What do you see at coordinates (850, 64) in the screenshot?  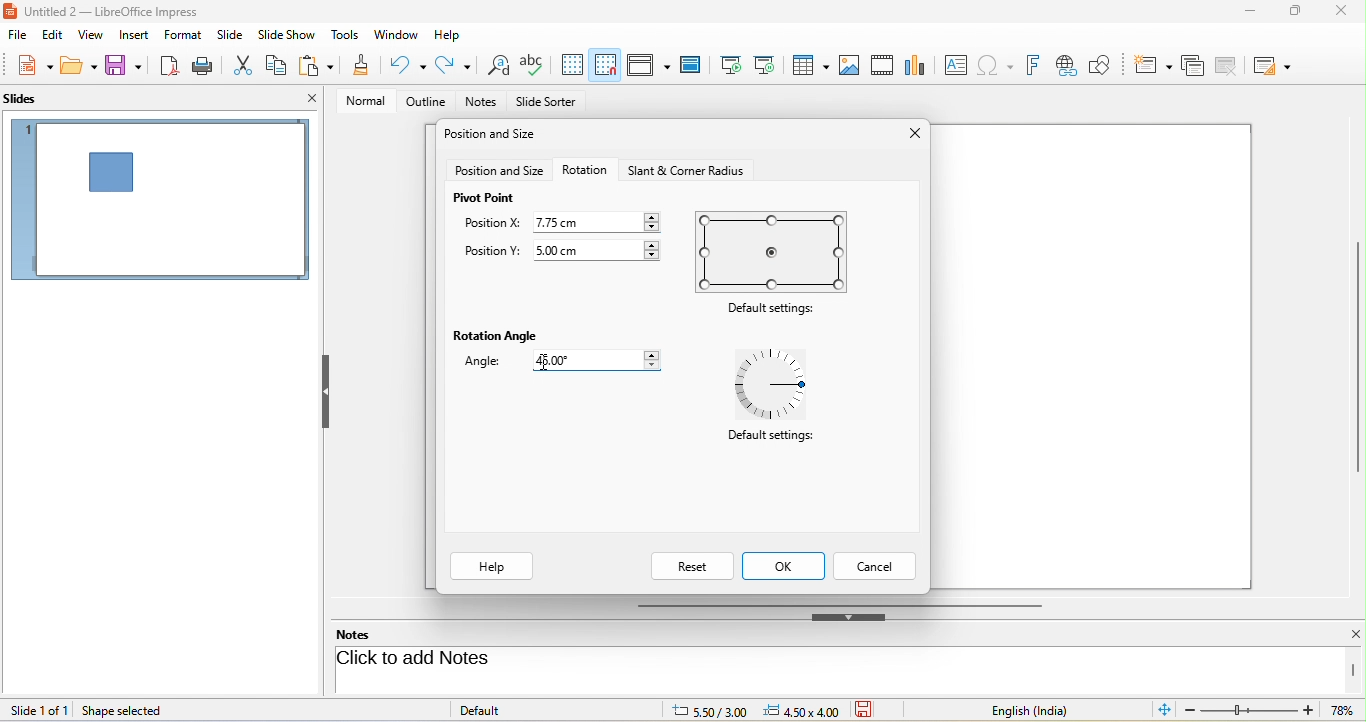 I see `image` at bounding box center [850, 64].